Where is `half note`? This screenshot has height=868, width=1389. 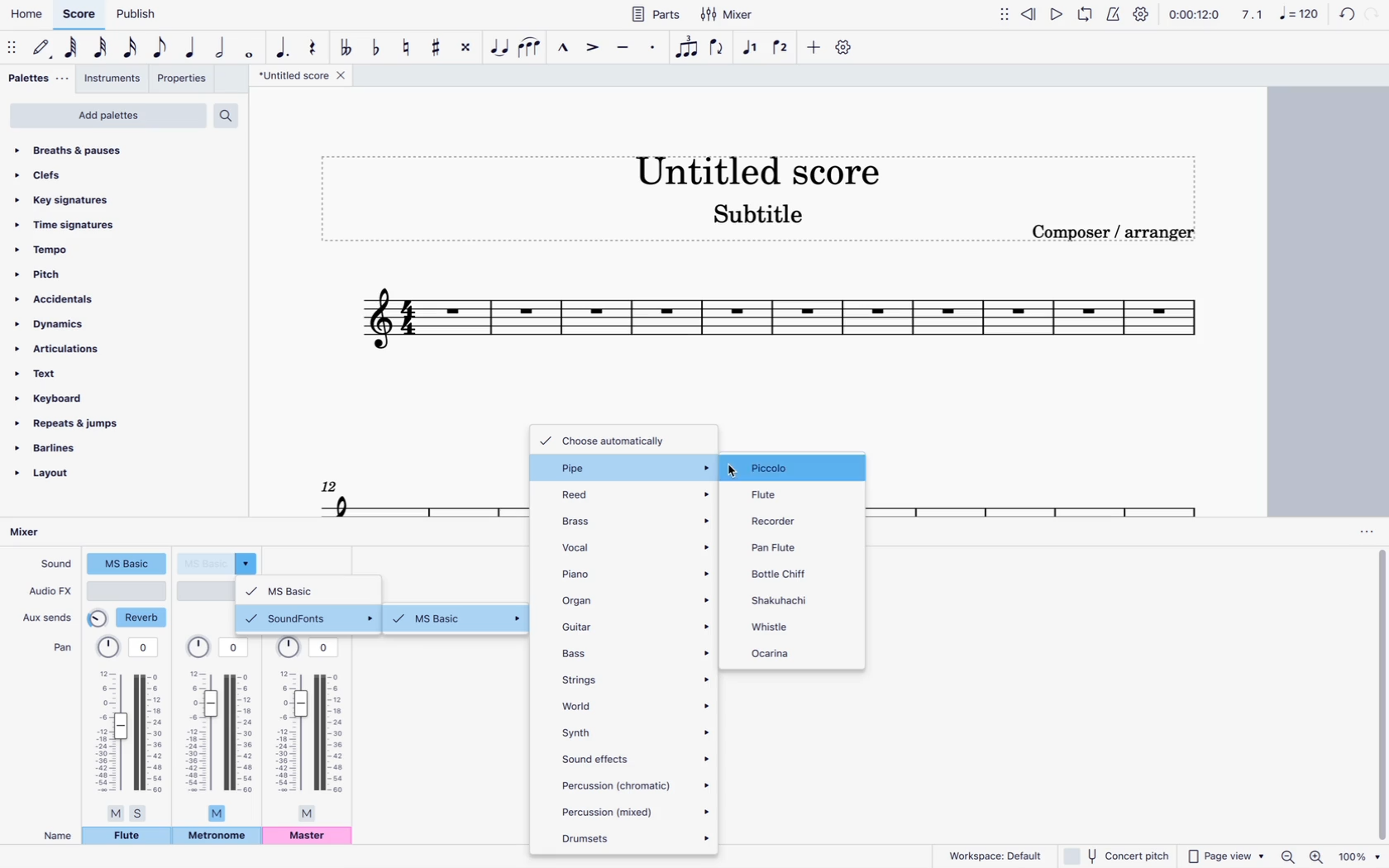
half note is located at coordinates (223, 48).